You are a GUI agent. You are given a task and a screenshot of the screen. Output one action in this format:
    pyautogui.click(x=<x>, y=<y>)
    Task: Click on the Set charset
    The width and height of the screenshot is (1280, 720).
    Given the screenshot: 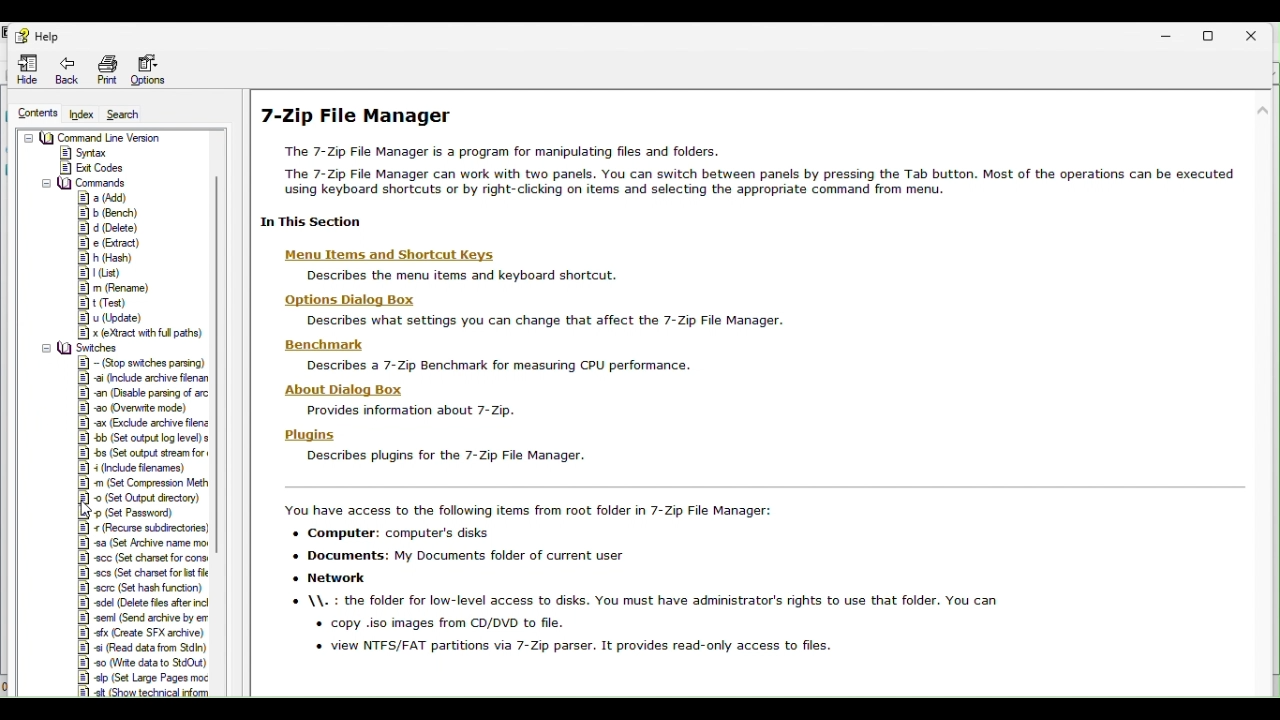 What is the action you would take?
    pyautogui.click(x=142, y=574)
    